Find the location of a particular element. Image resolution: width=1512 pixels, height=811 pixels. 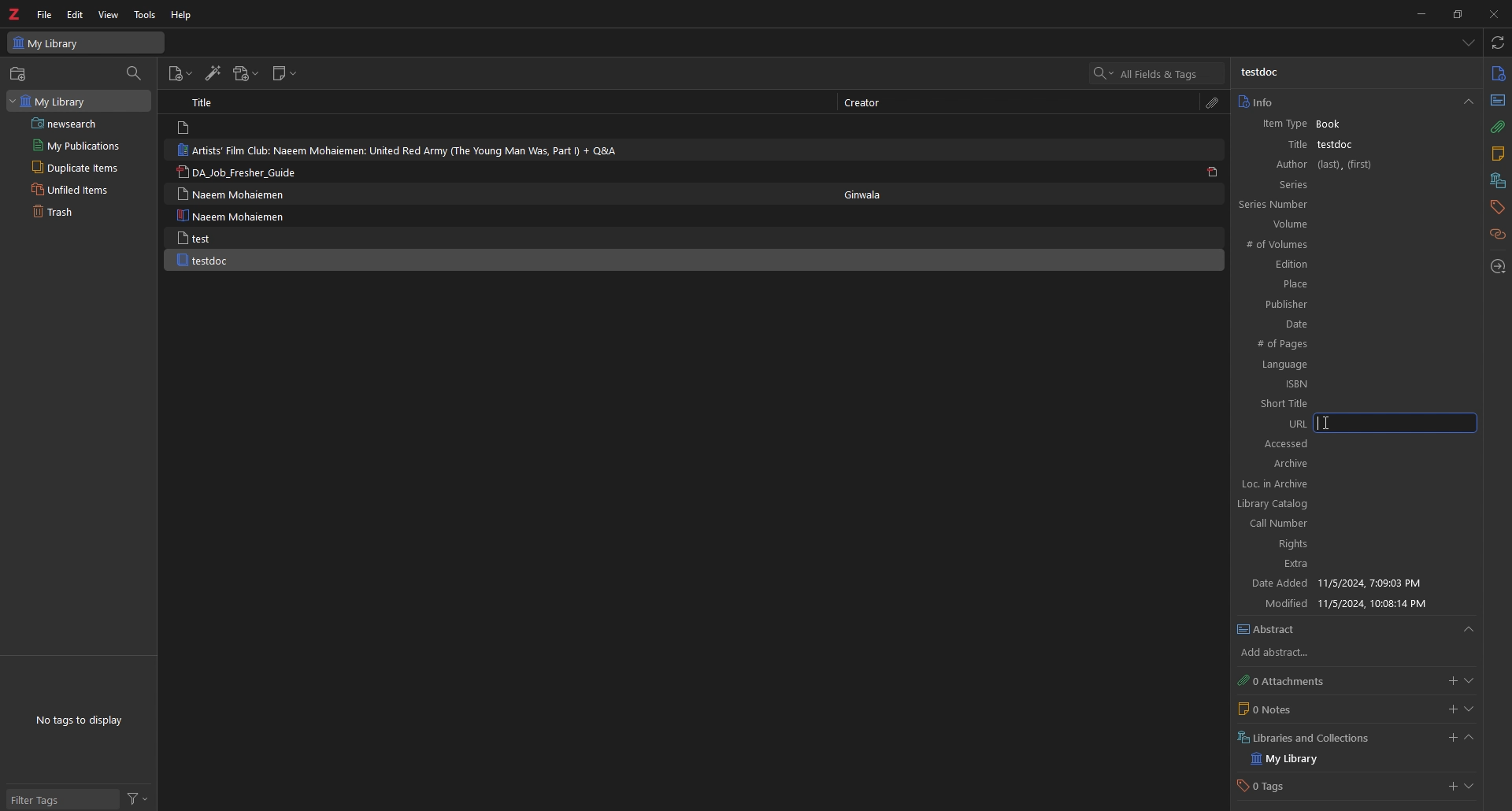

Language is located at coordinates (1336, 365).